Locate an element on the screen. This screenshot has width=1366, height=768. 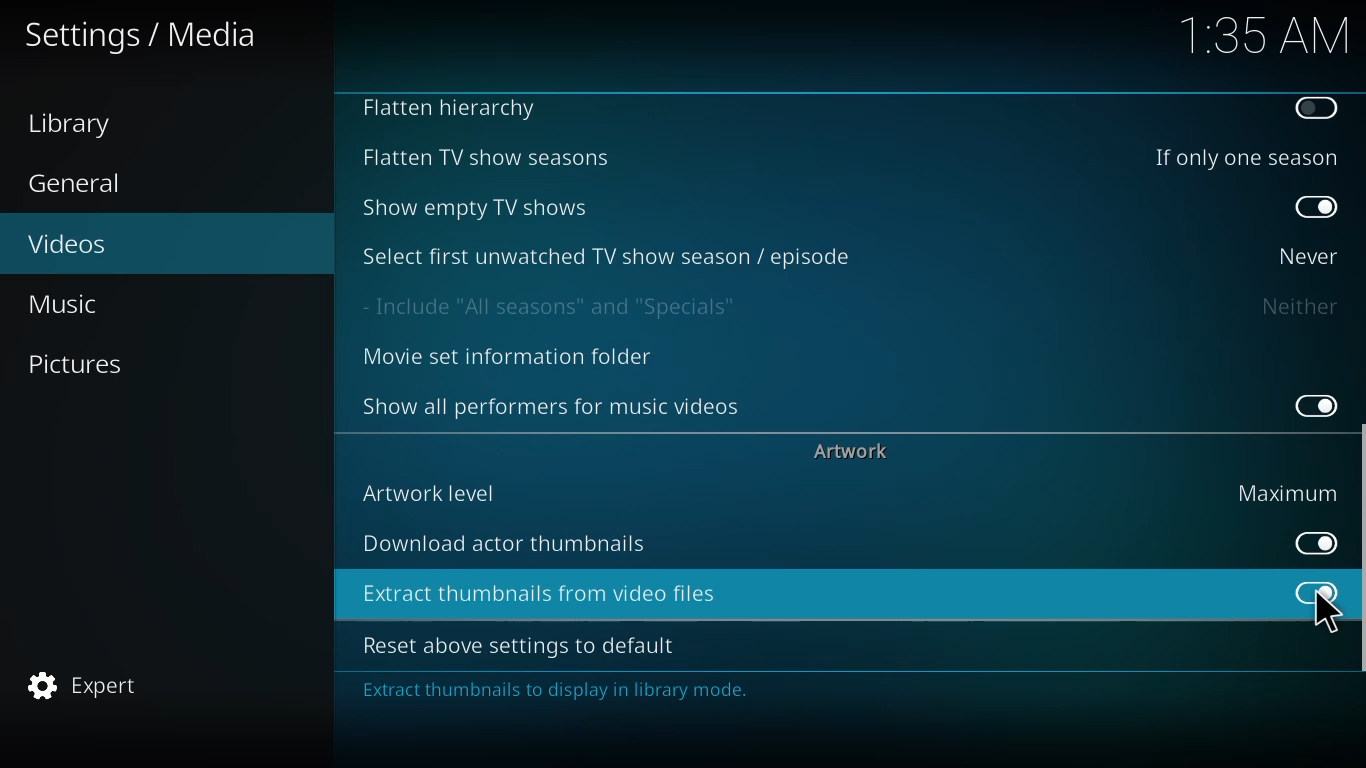
artwork level is located at coordinates (431, 492).